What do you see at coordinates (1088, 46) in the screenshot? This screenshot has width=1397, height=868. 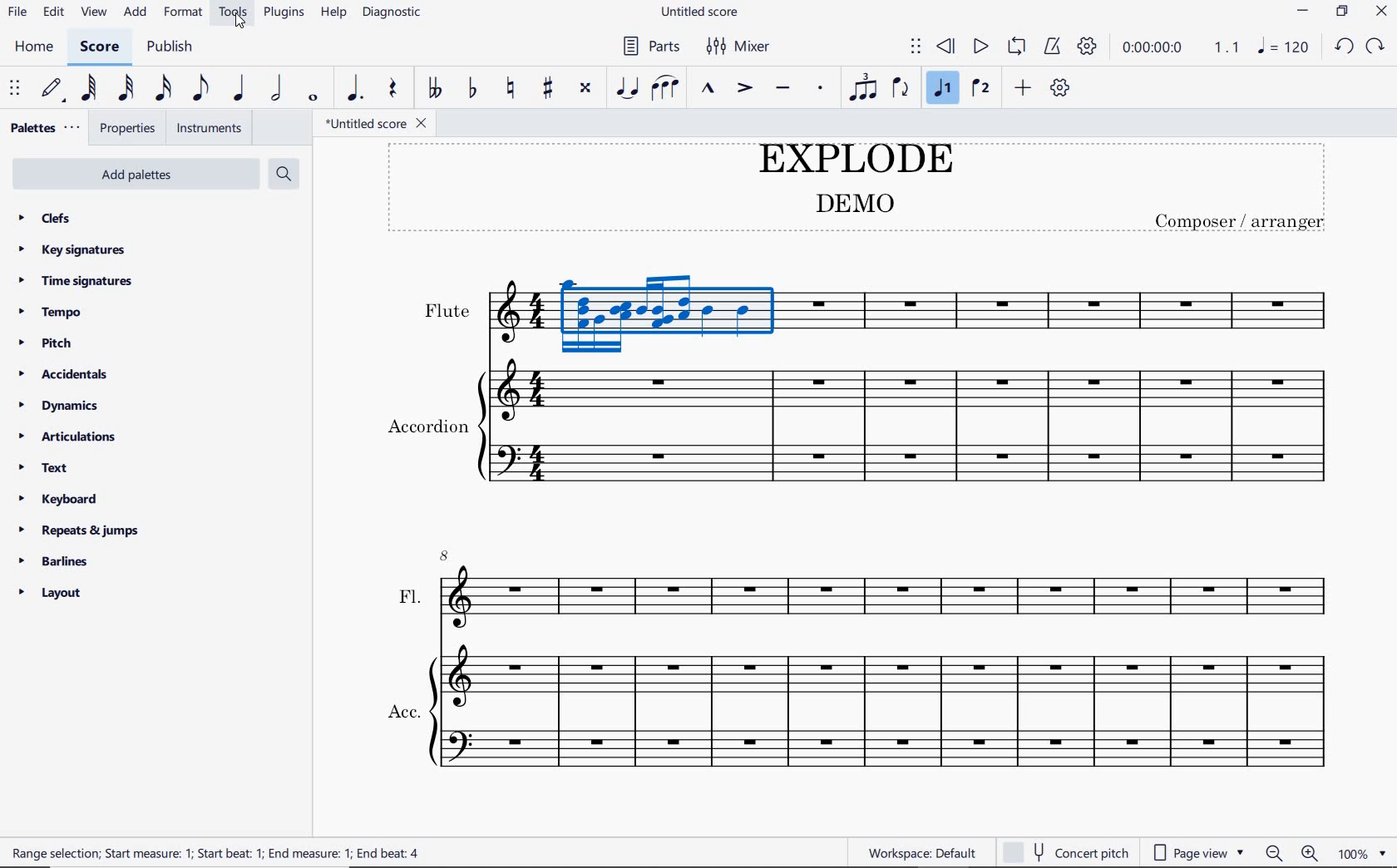 I see `playback settings` at bounding box center [1088, 46].